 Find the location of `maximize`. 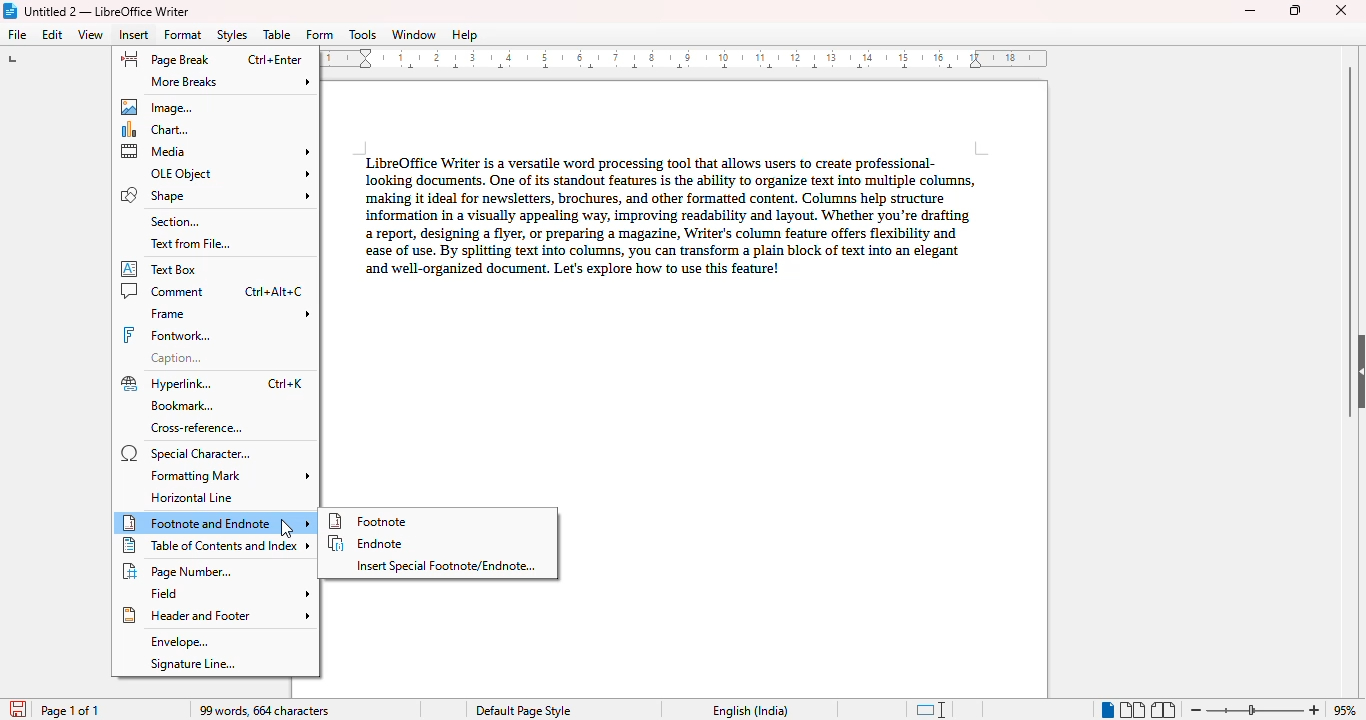

maximize is located at coordinates (1295, 10).